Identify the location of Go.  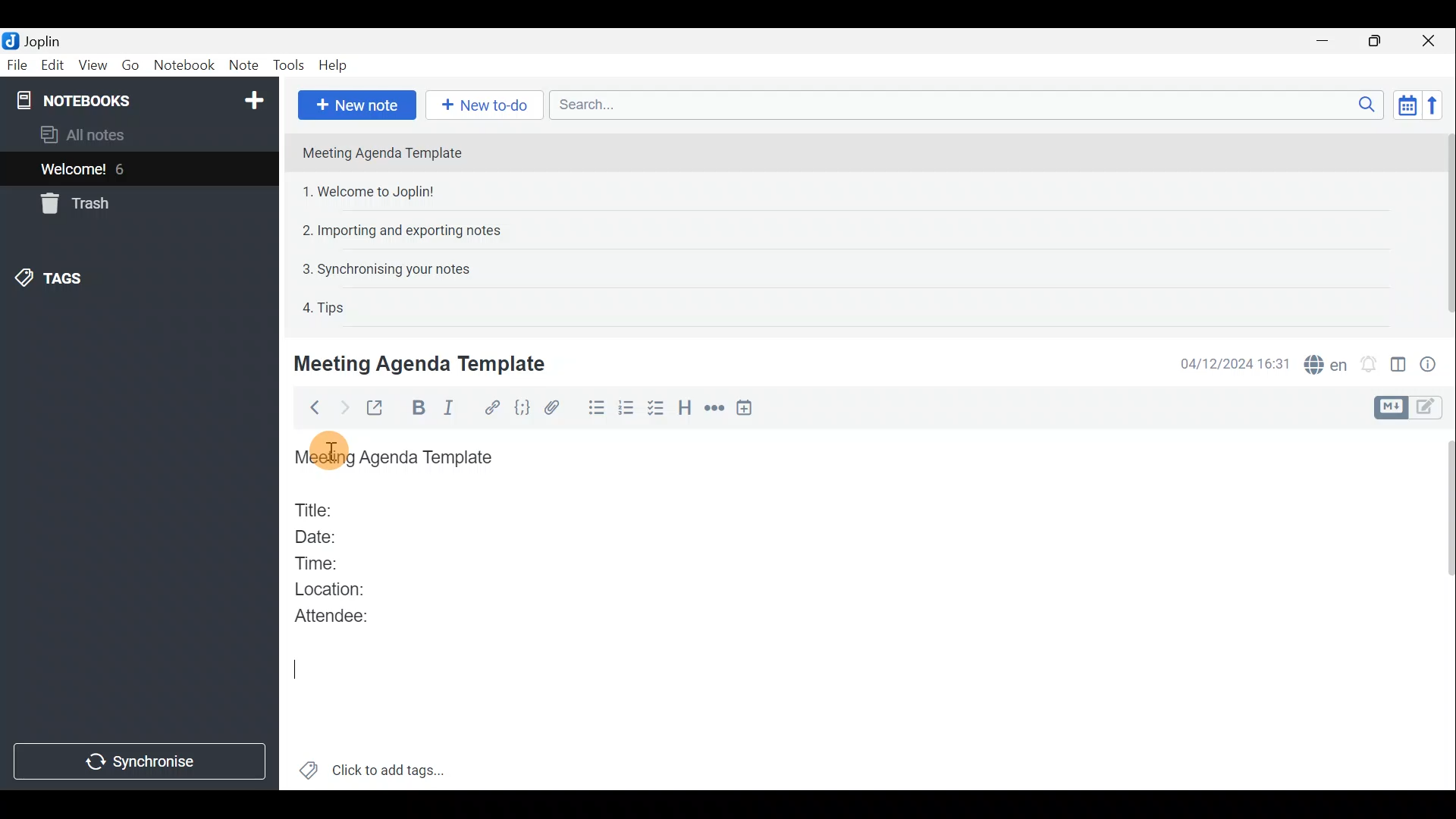
(130, 64).